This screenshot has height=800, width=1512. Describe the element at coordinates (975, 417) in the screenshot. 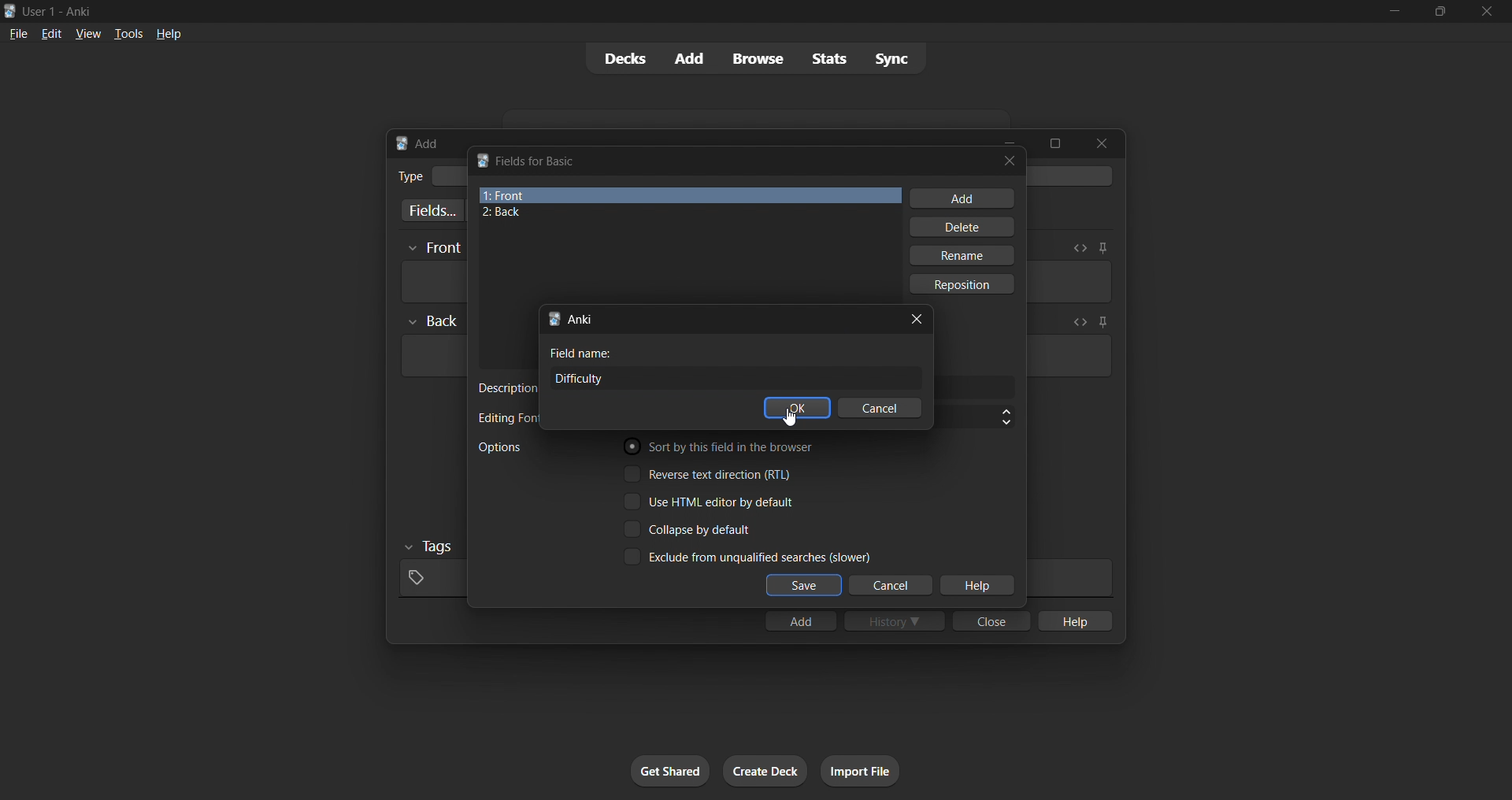

I see `field font size` at that location.